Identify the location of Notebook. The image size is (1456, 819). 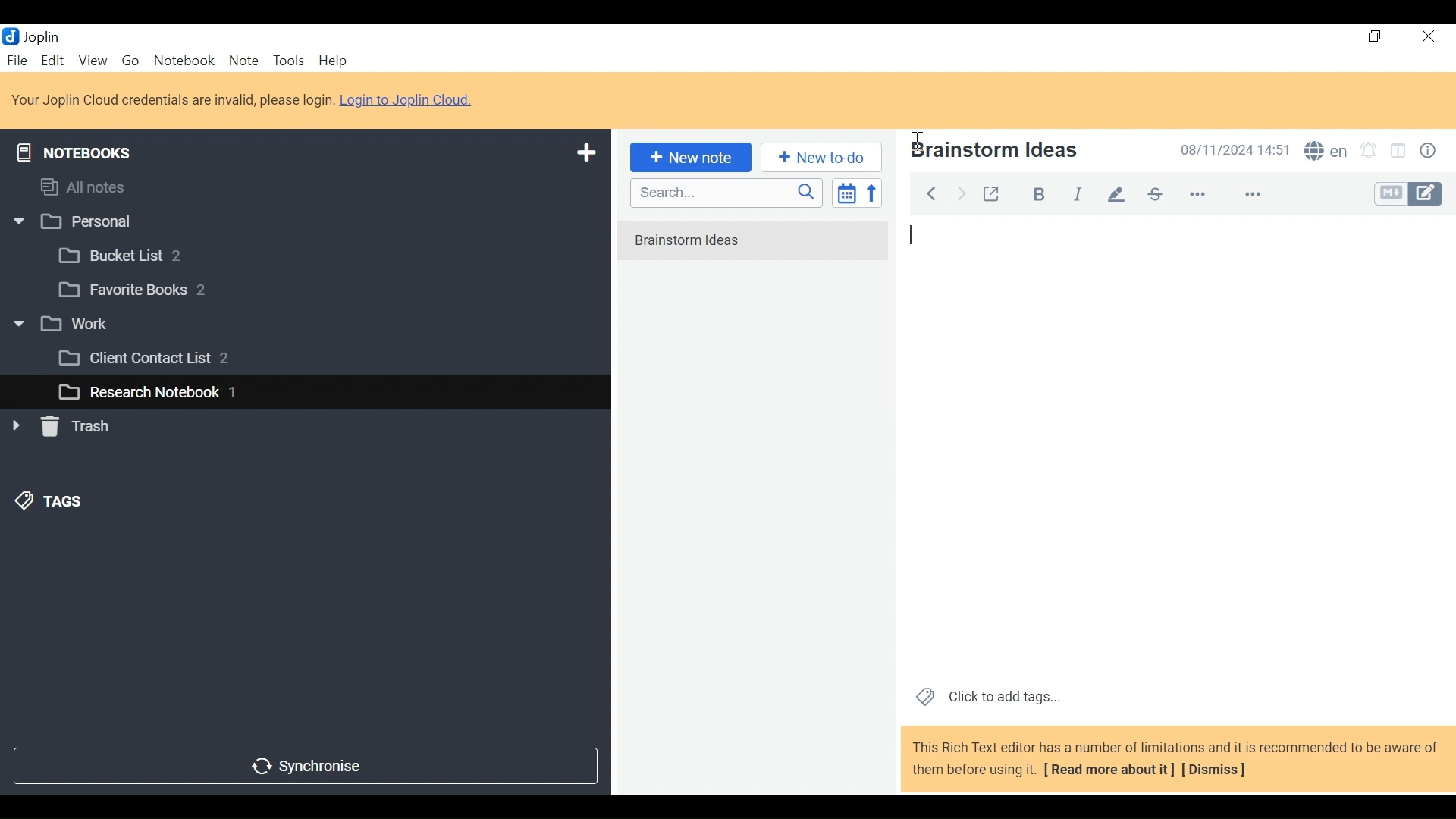
(186, 60).